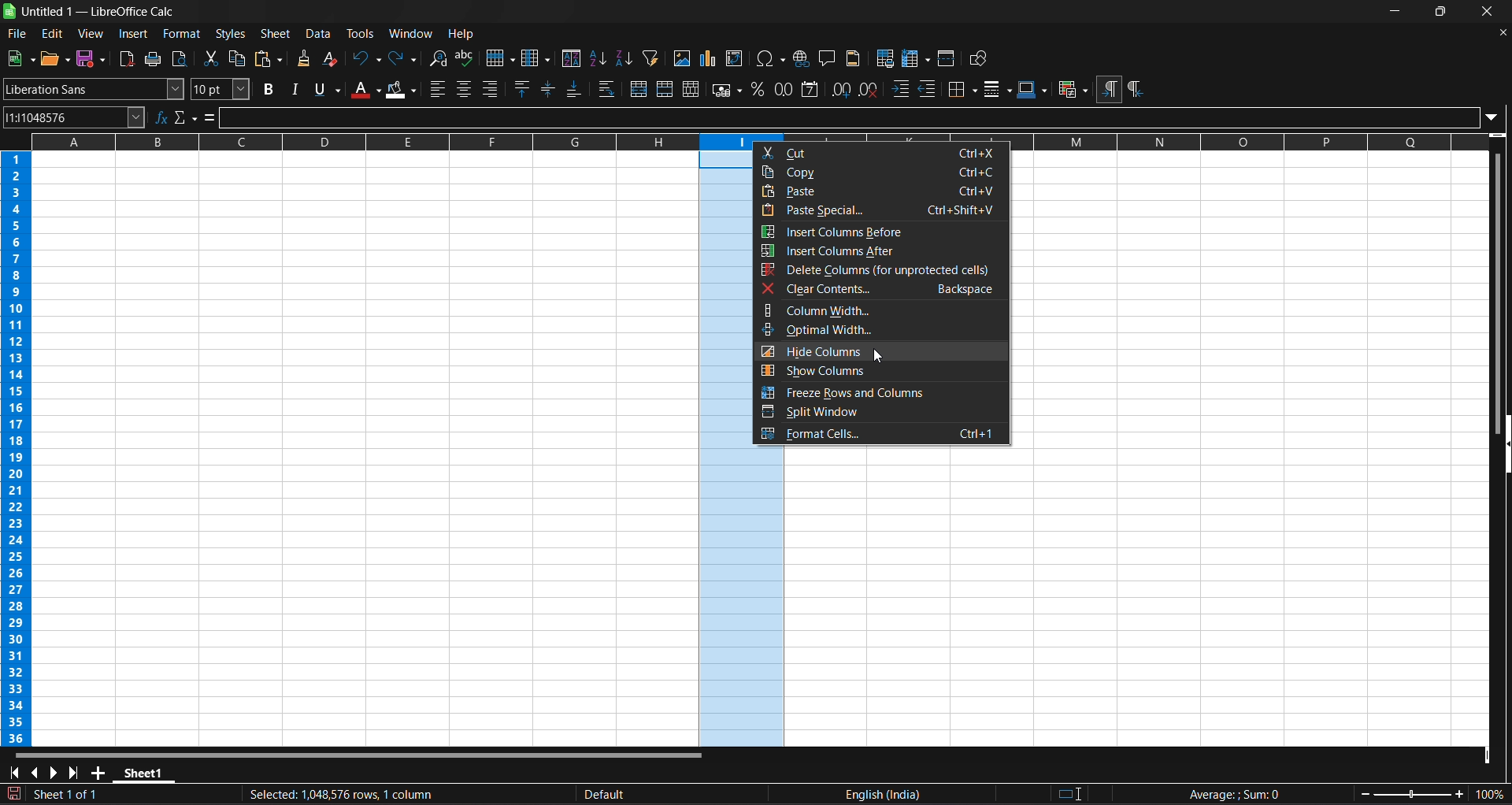 Image resolution: width=1512 pixels, height=805 pixels. What do you see at coordinates (438, 58) in the screenshot?
I see `find and replace` at bounding box center [438, 58].